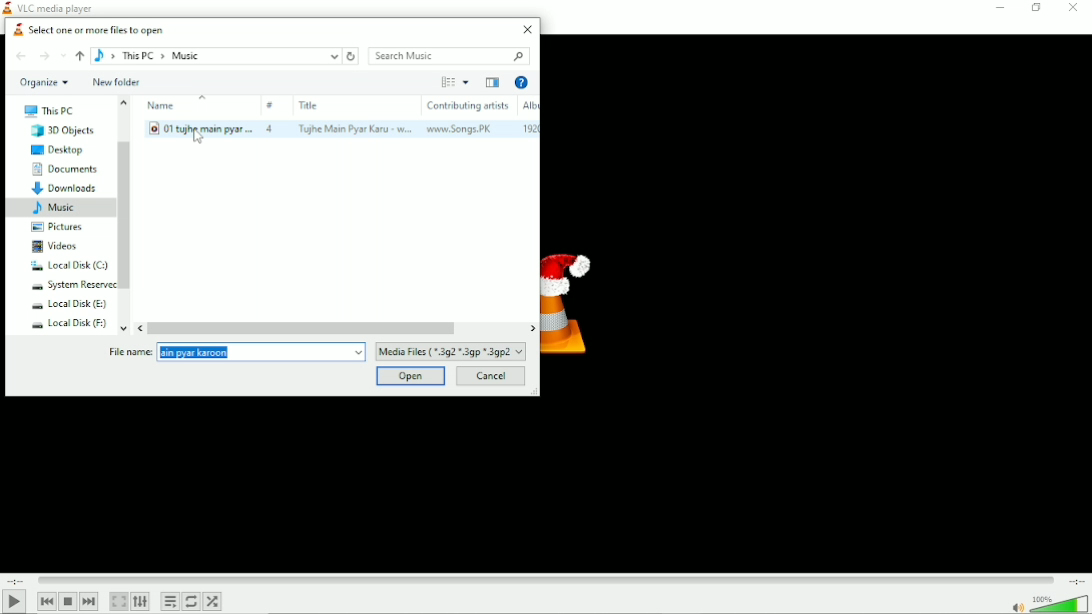 The width and height of the screenshot is (1092, 614). I want to click on Media Files ( *.3g2 *.3gp *3gp2 v, so click(451, 352).